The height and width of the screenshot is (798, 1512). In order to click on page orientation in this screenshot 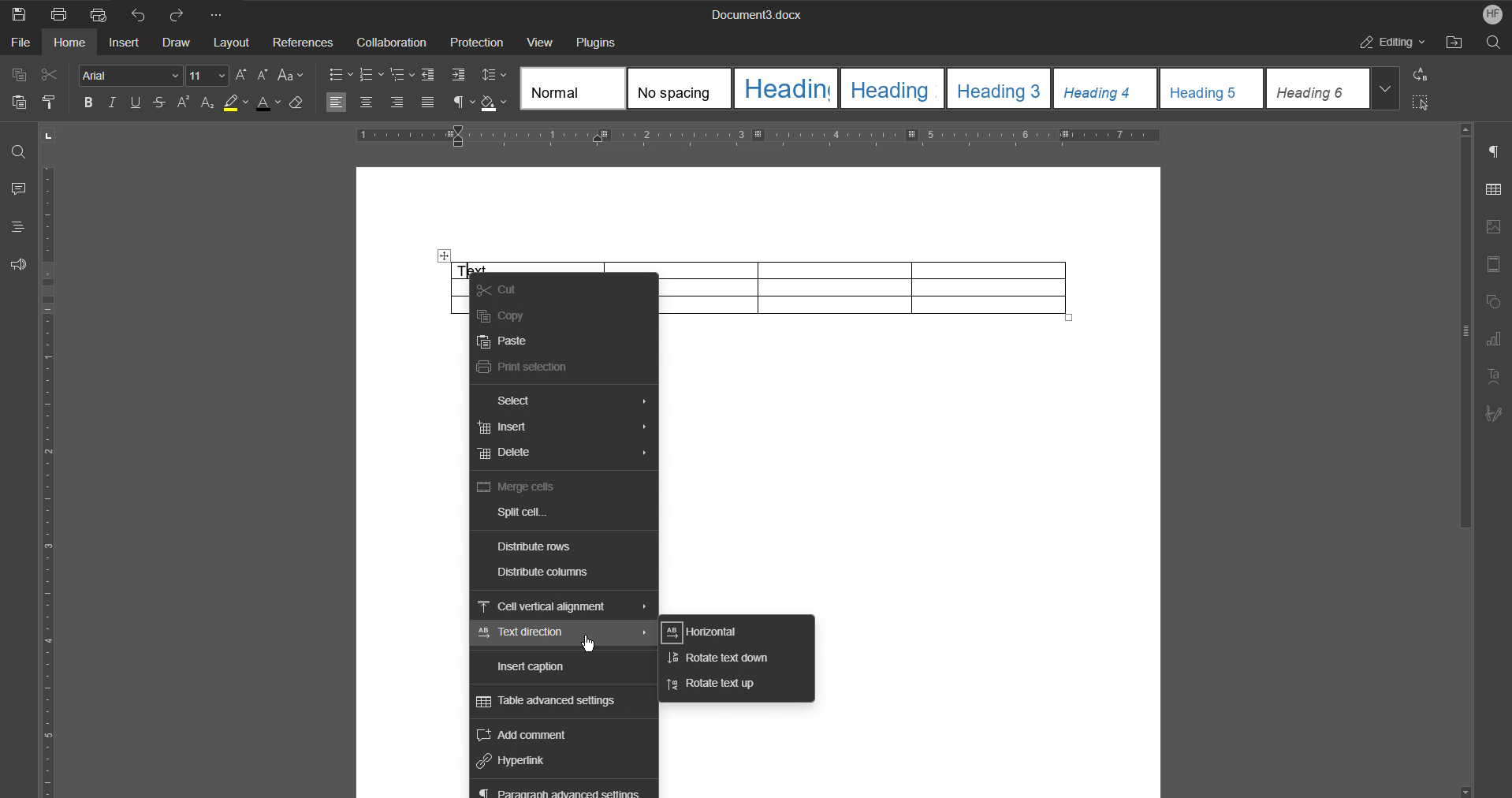, I will do `click(48, 136)`.